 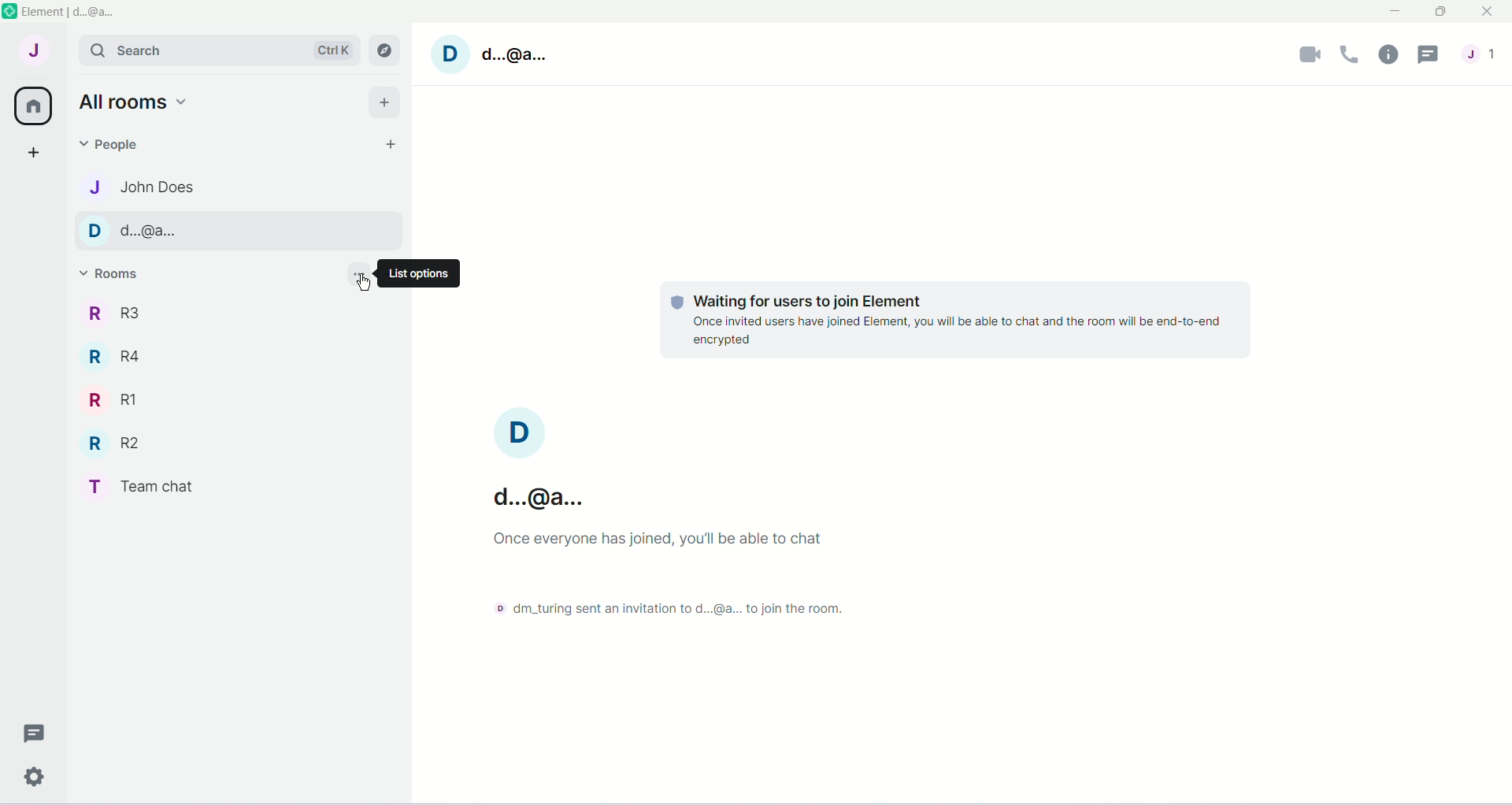 I want to click on Video Call, so click(x=1310, y=52).